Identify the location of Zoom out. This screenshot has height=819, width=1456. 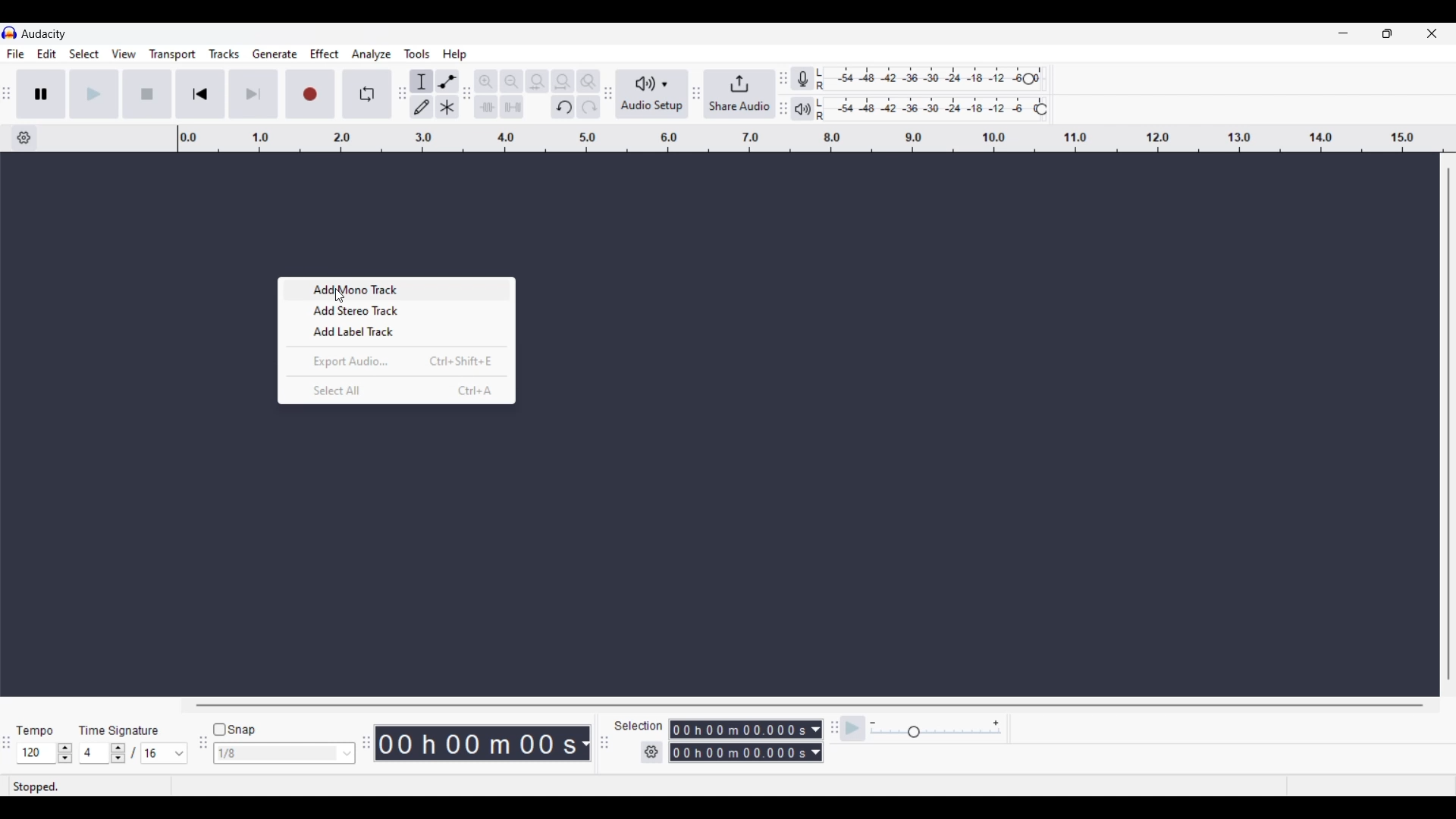
(511, 81).